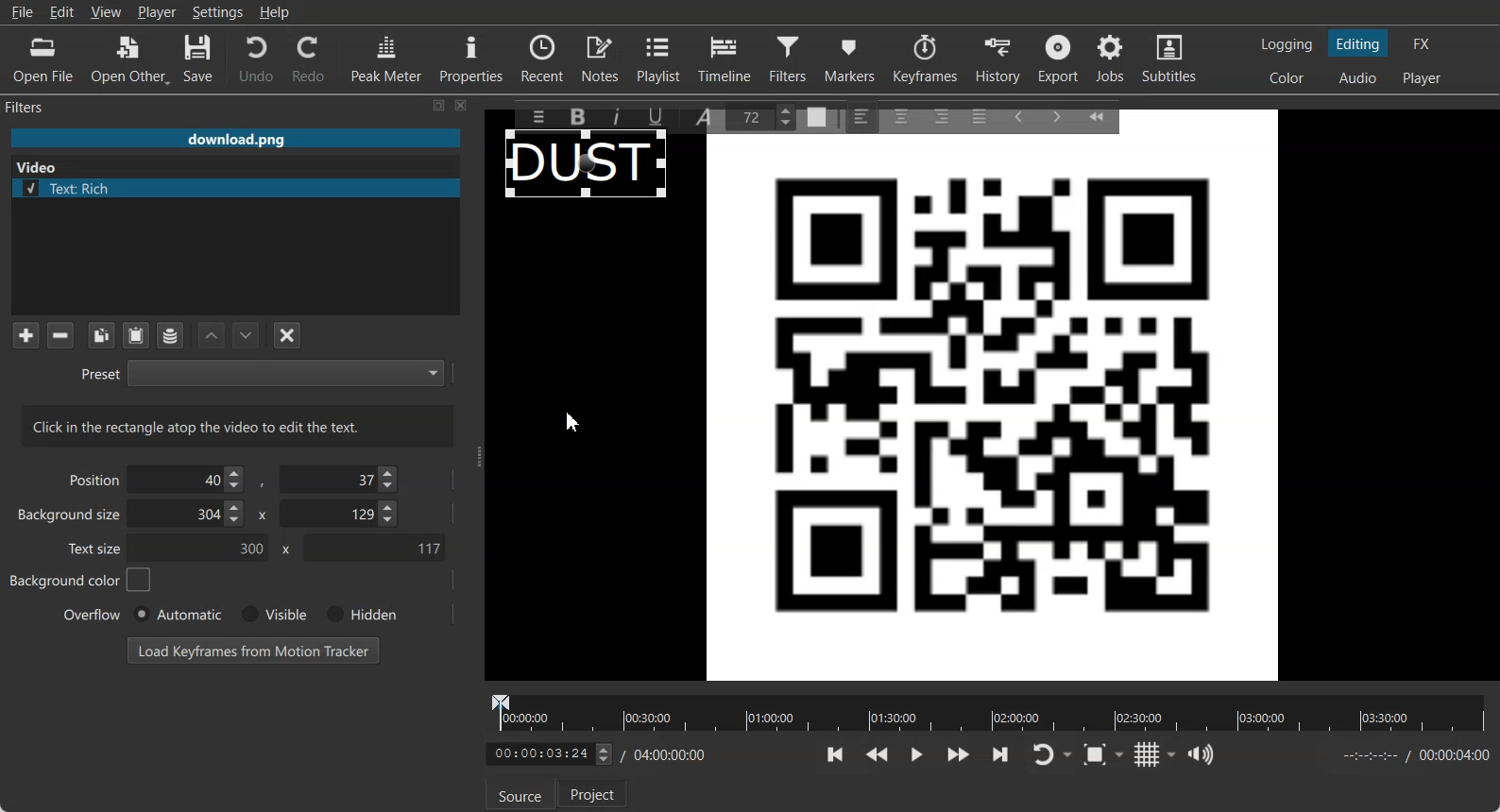 The image size is (1500, 812). What do you see at coordinates (1201, 755) in the screenshot?
I see `Show the volume control` at bounding box center [1201, 755].